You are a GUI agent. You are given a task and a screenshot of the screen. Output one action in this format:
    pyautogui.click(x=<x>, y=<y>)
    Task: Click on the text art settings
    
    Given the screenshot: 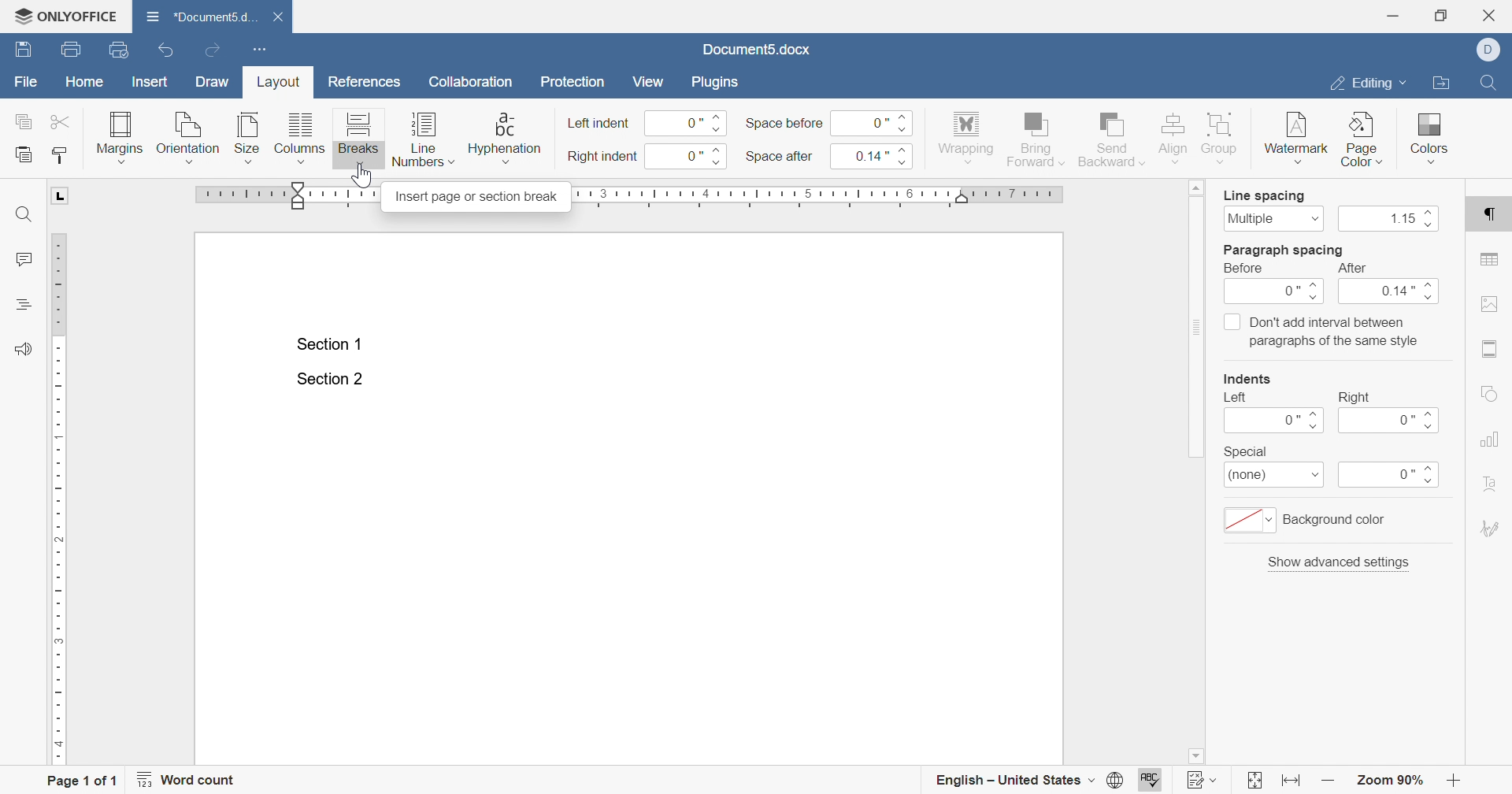 What is the action you would take?
    pyautogui.click(x=1488, y=482)
    